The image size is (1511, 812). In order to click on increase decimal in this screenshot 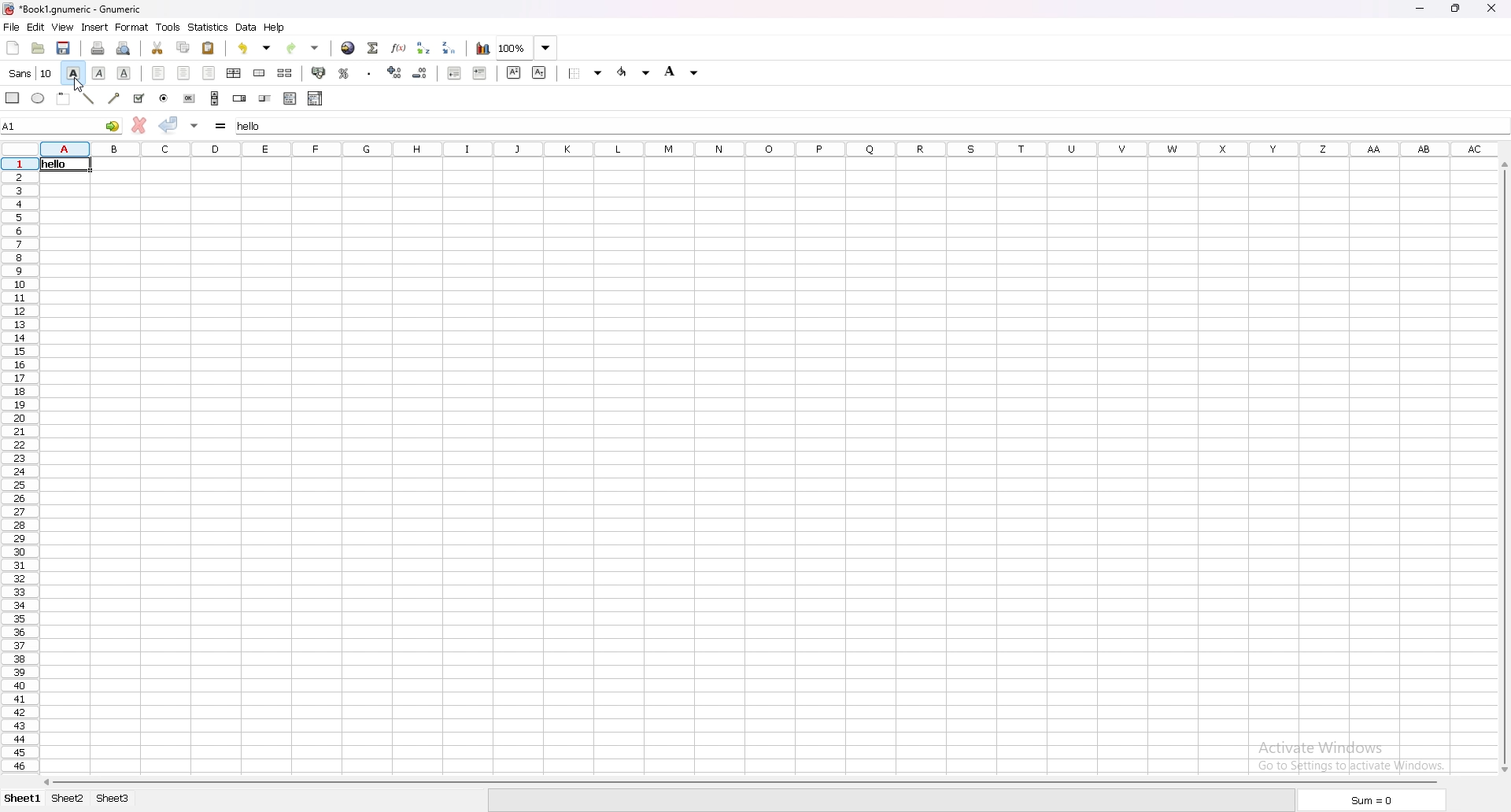, I will do `click(395, 72)`.